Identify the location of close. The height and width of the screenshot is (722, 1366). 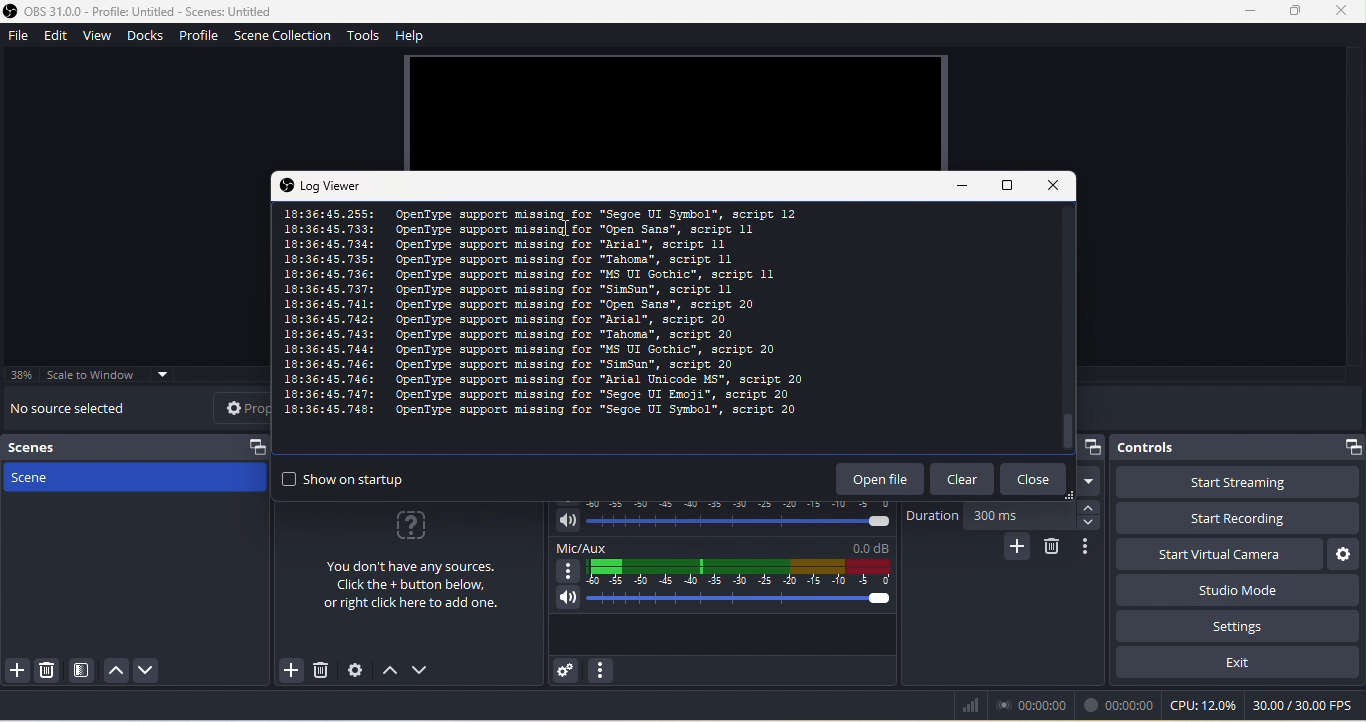
(1343, 11).